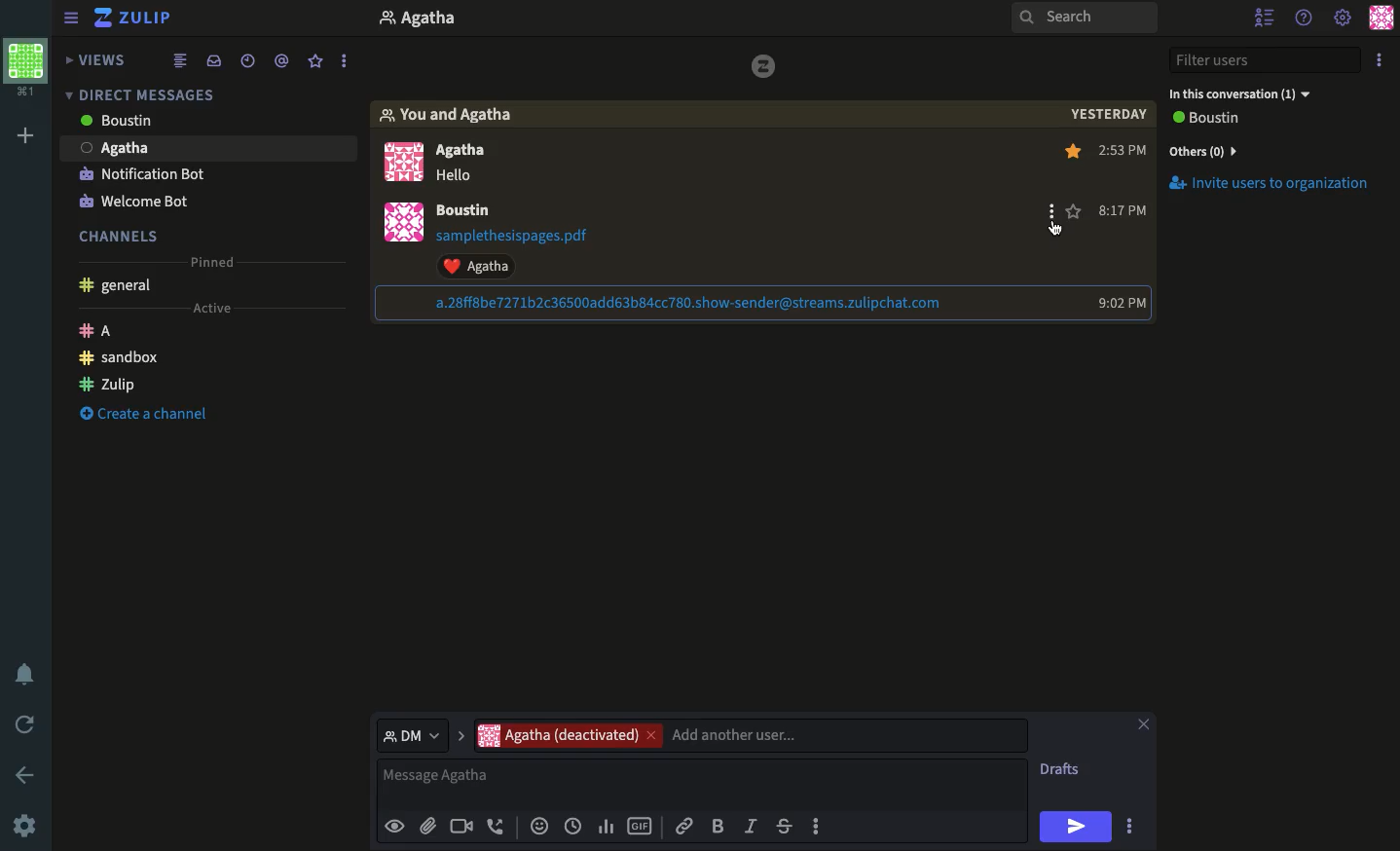 The width and height of the screenshot is (1400, 851). What do you see at coordinates (1223, 120) in the screenshot?
I see `View all users` at bounding box center [1223, 120].